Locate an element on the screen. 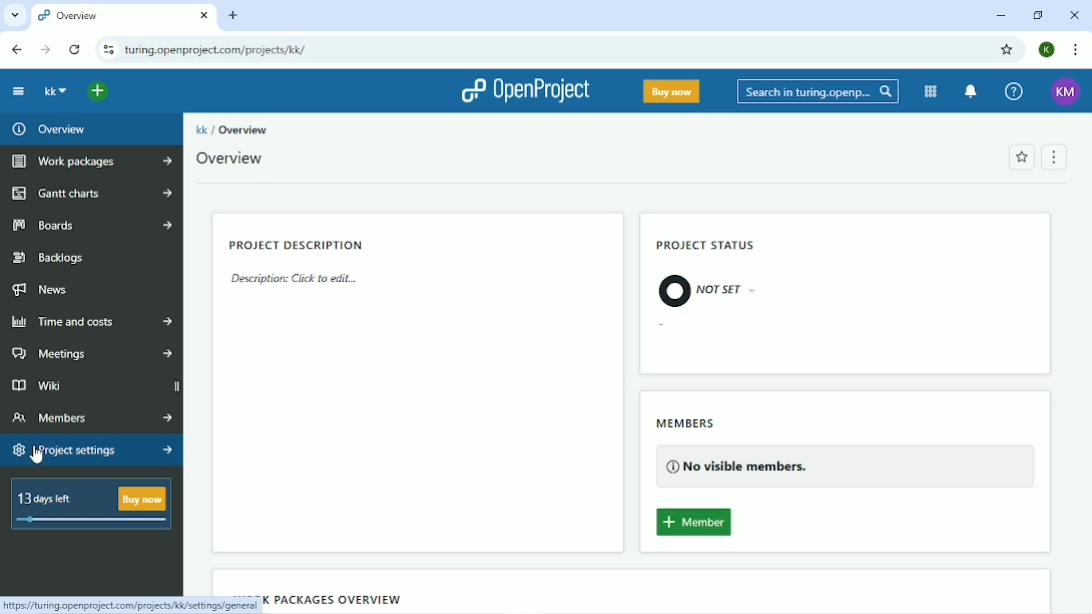 The image size is (1092, 614). Work packages is located at coordinates (94, 161).